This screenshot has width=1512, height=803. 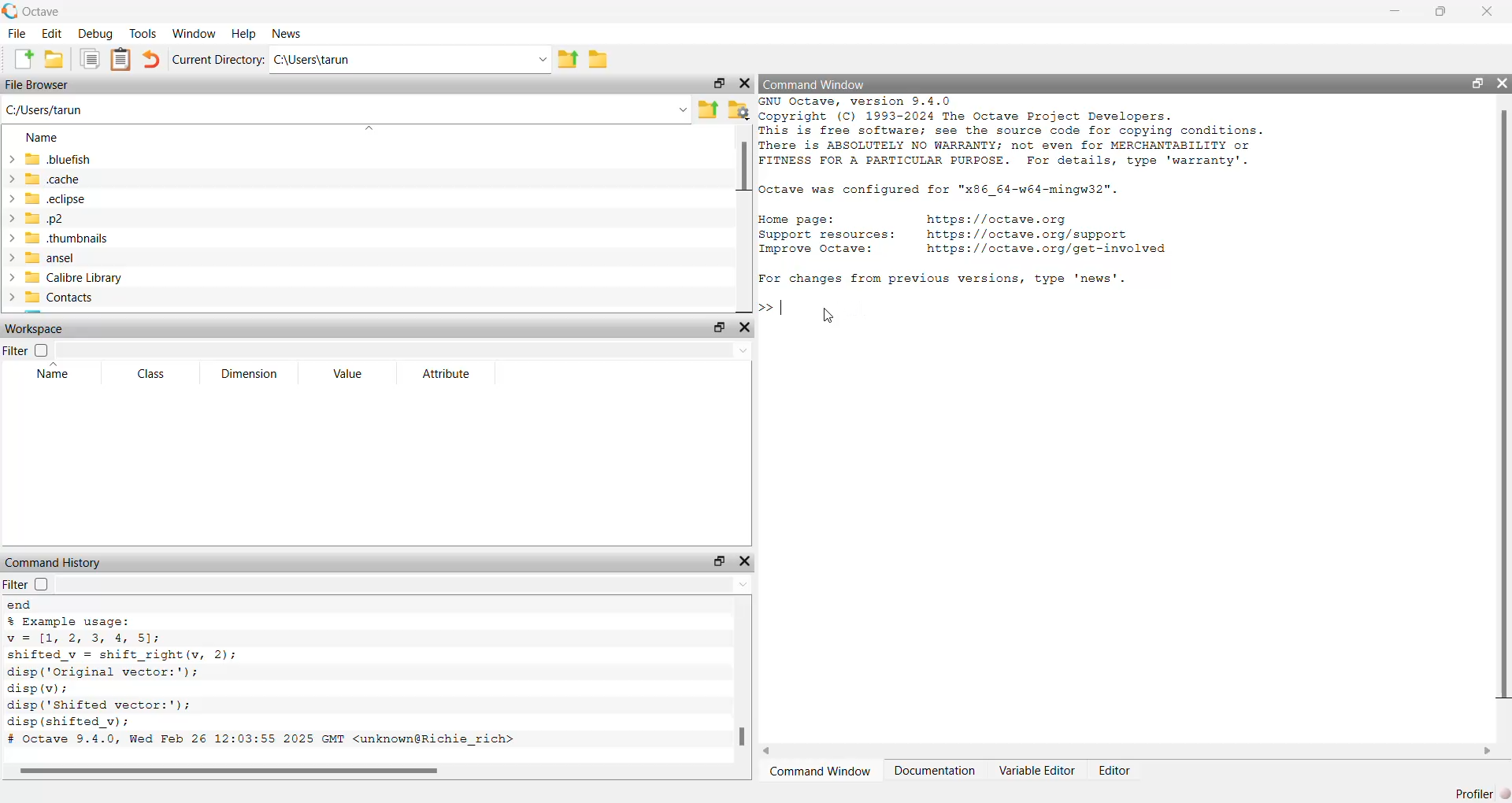 I want to click on current directory, so click(x=219, y=60).